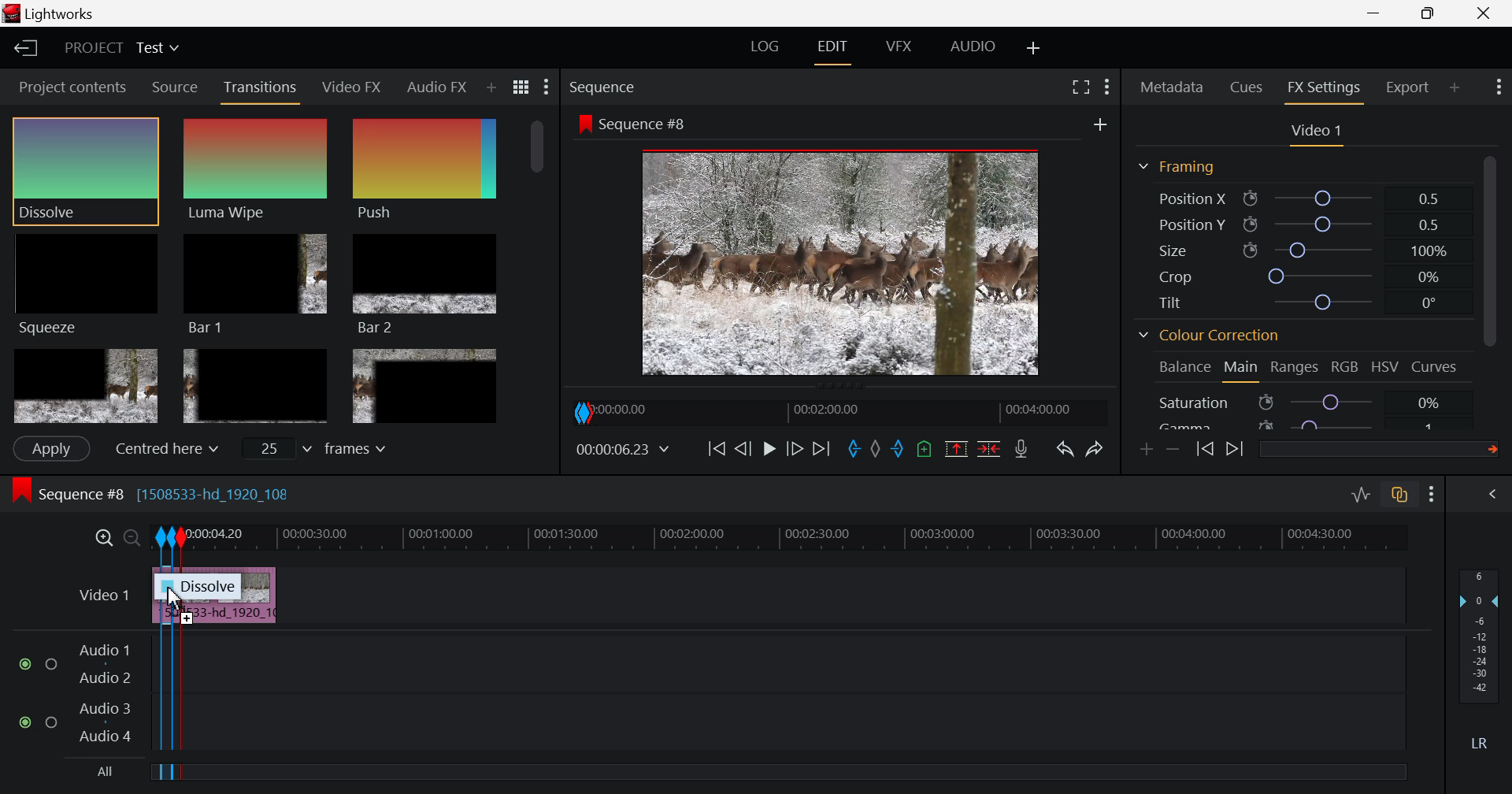 This screenshot has width=1512, height=794. What do you see at coordinates (56, 14) in the screenshot?
I see `Lightworks` at bounding box center [56, 14].